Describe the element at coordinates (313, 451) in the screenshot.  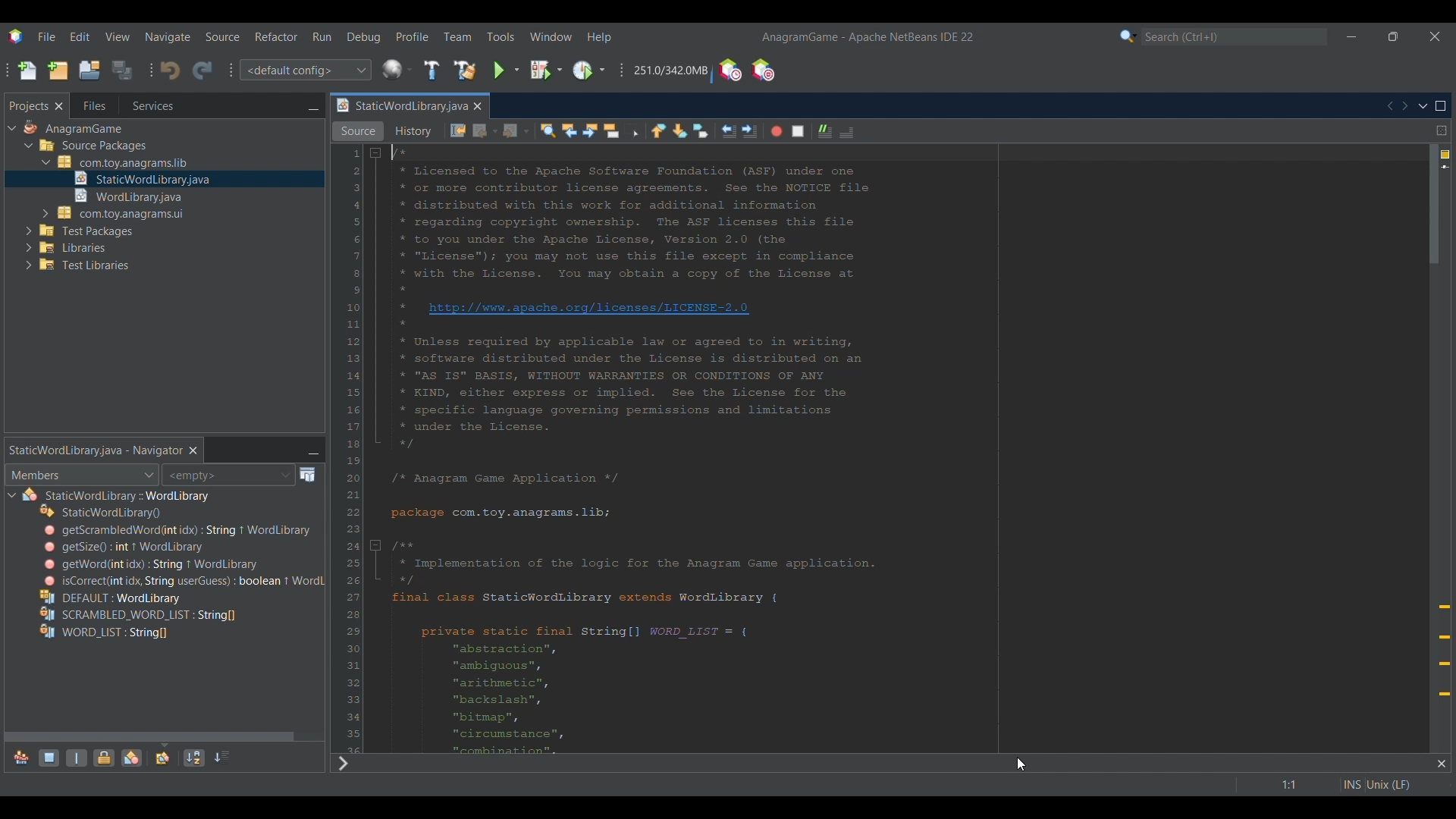
I see `Minimize window group` at that location.